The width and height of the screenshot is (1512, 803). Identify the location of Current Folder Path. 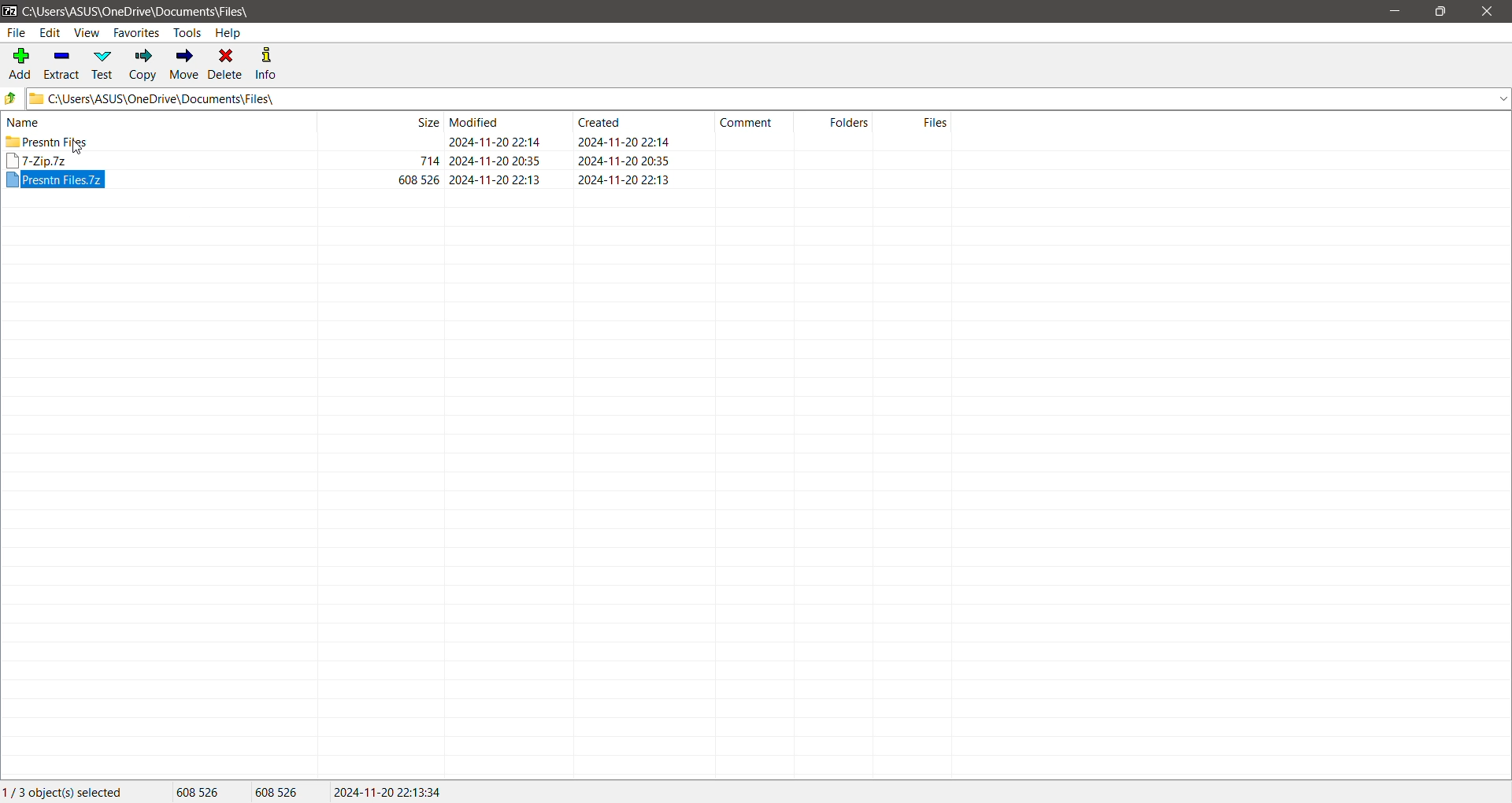
(769, 98).